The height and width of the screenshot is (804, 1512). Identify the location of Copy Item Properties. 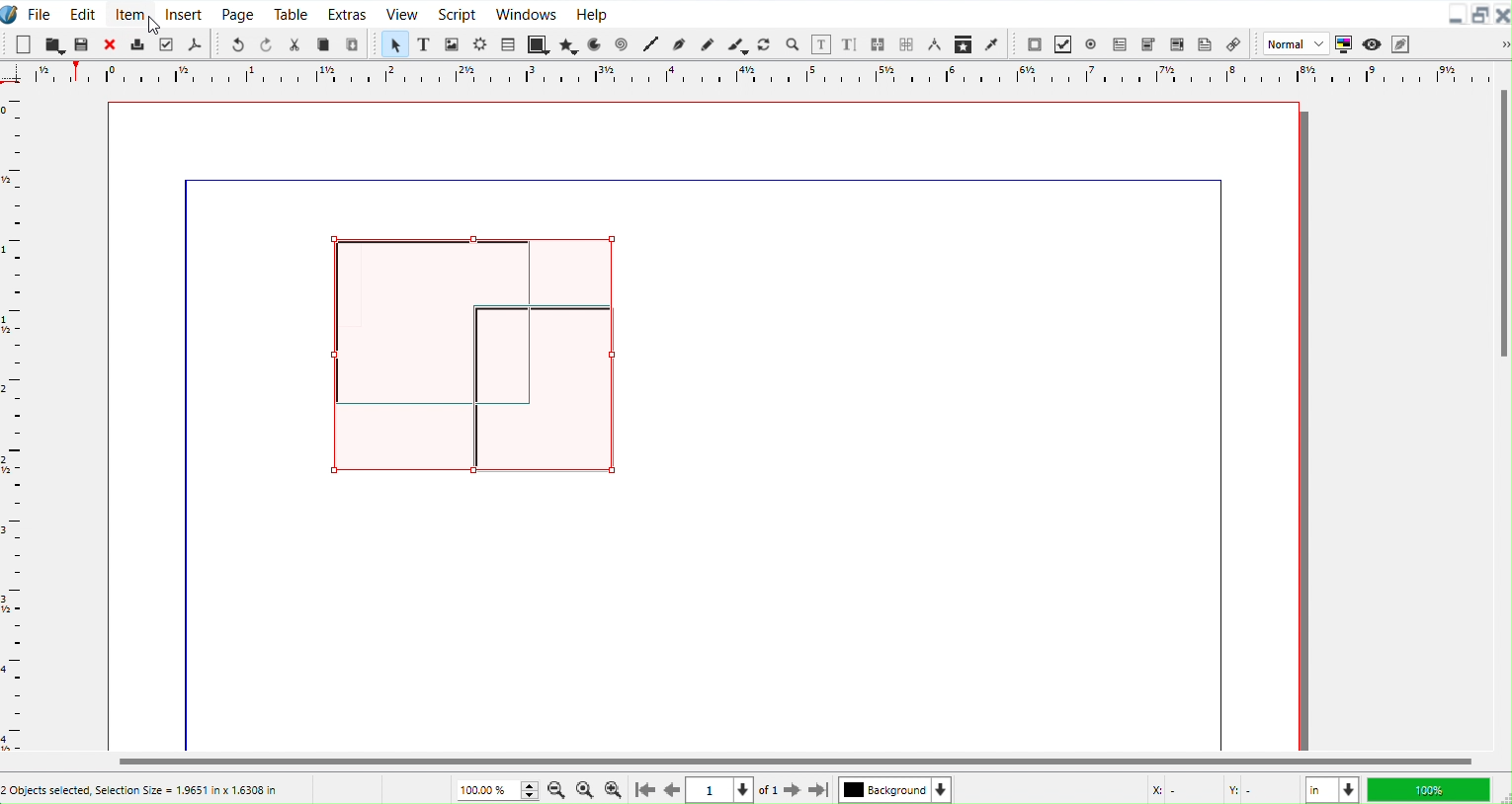
(966, 43).